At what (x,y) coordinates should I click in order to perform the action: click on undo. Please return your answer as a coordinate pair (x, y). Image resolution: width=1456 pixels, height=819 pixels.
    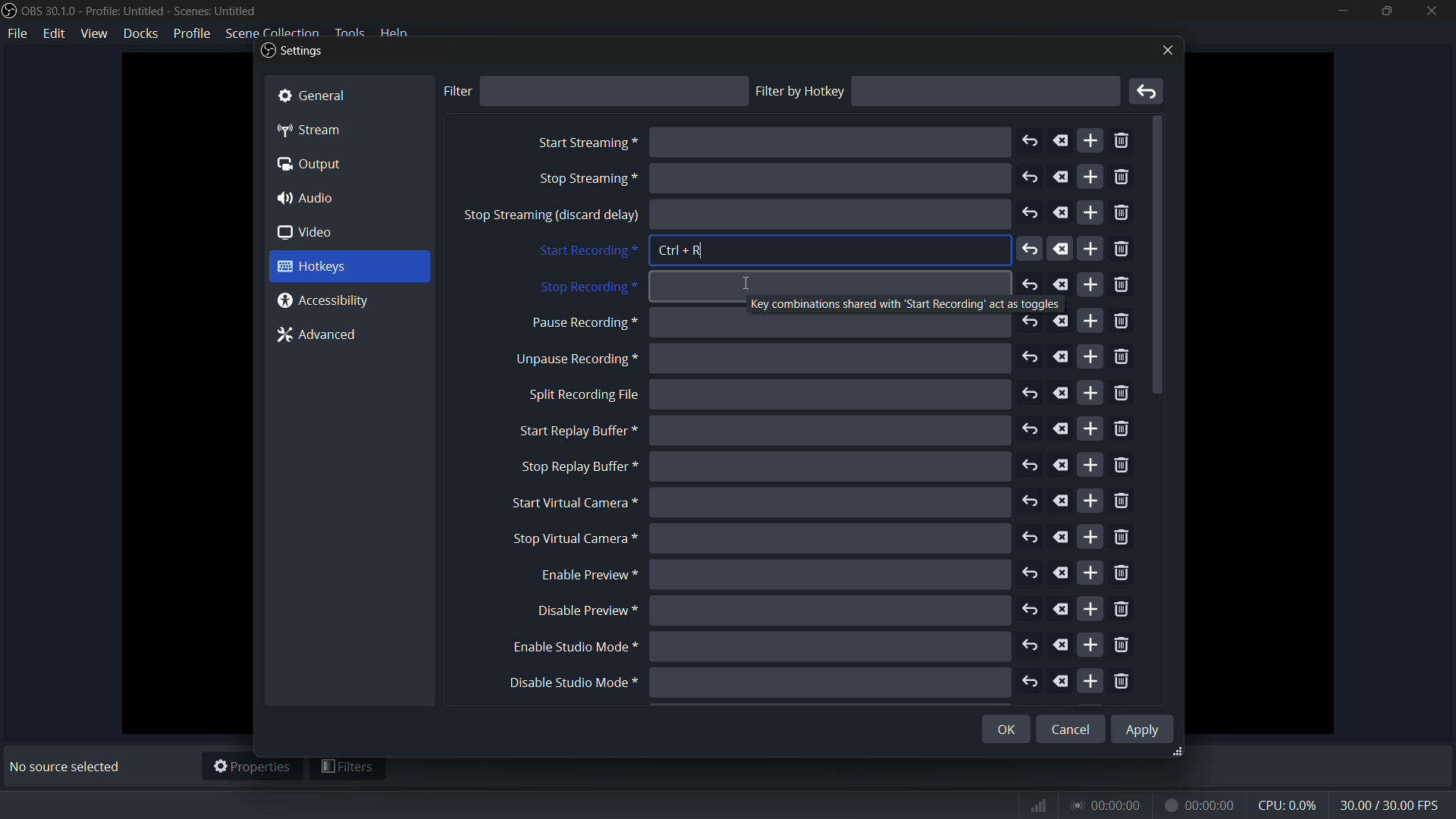
    Looking at the image, I should click on (1031, 648).